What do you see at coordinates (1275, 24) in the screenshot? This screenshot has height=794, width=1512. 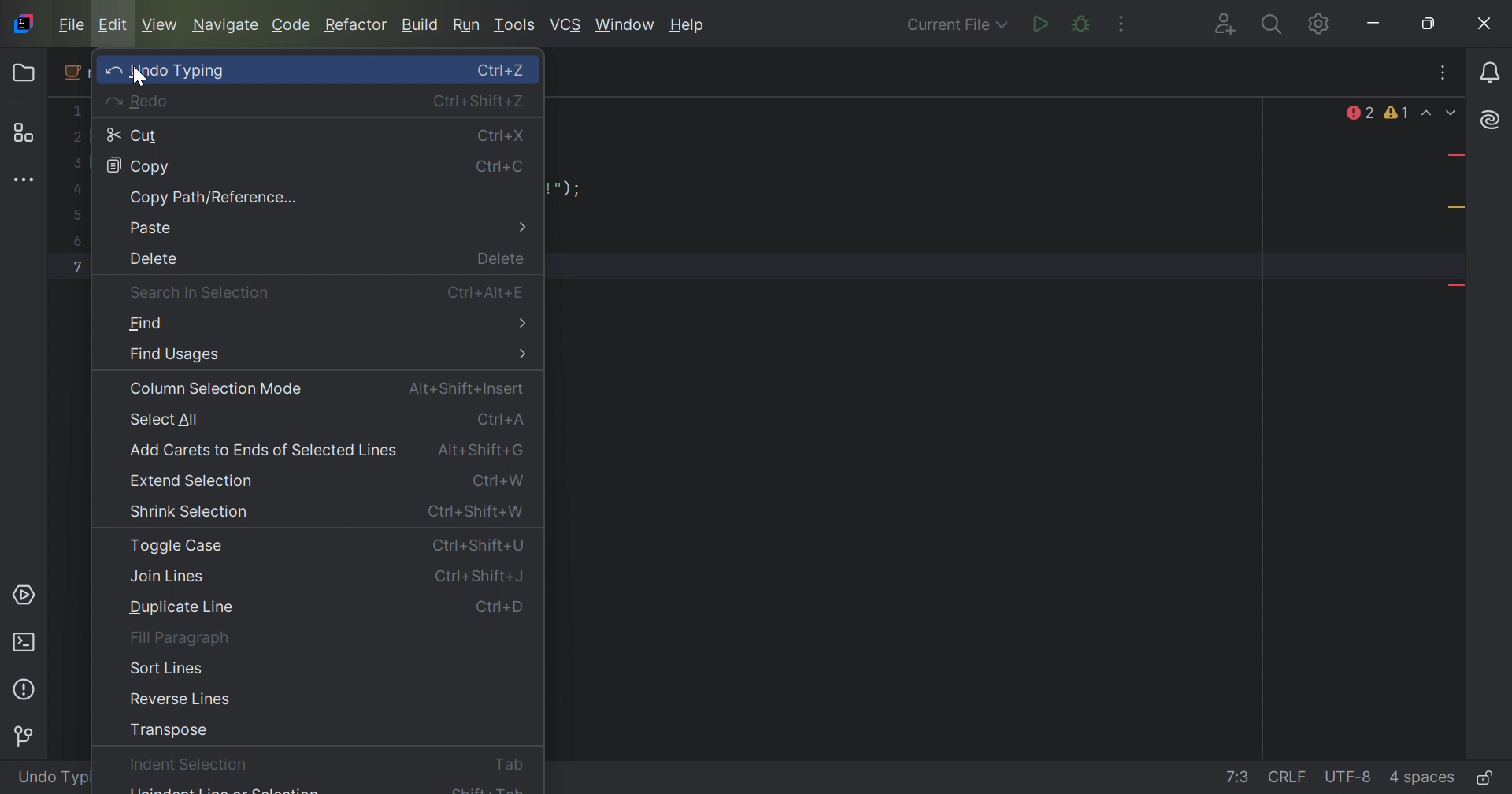 I see `Search everywhere` at bounding box center [1275, 24].